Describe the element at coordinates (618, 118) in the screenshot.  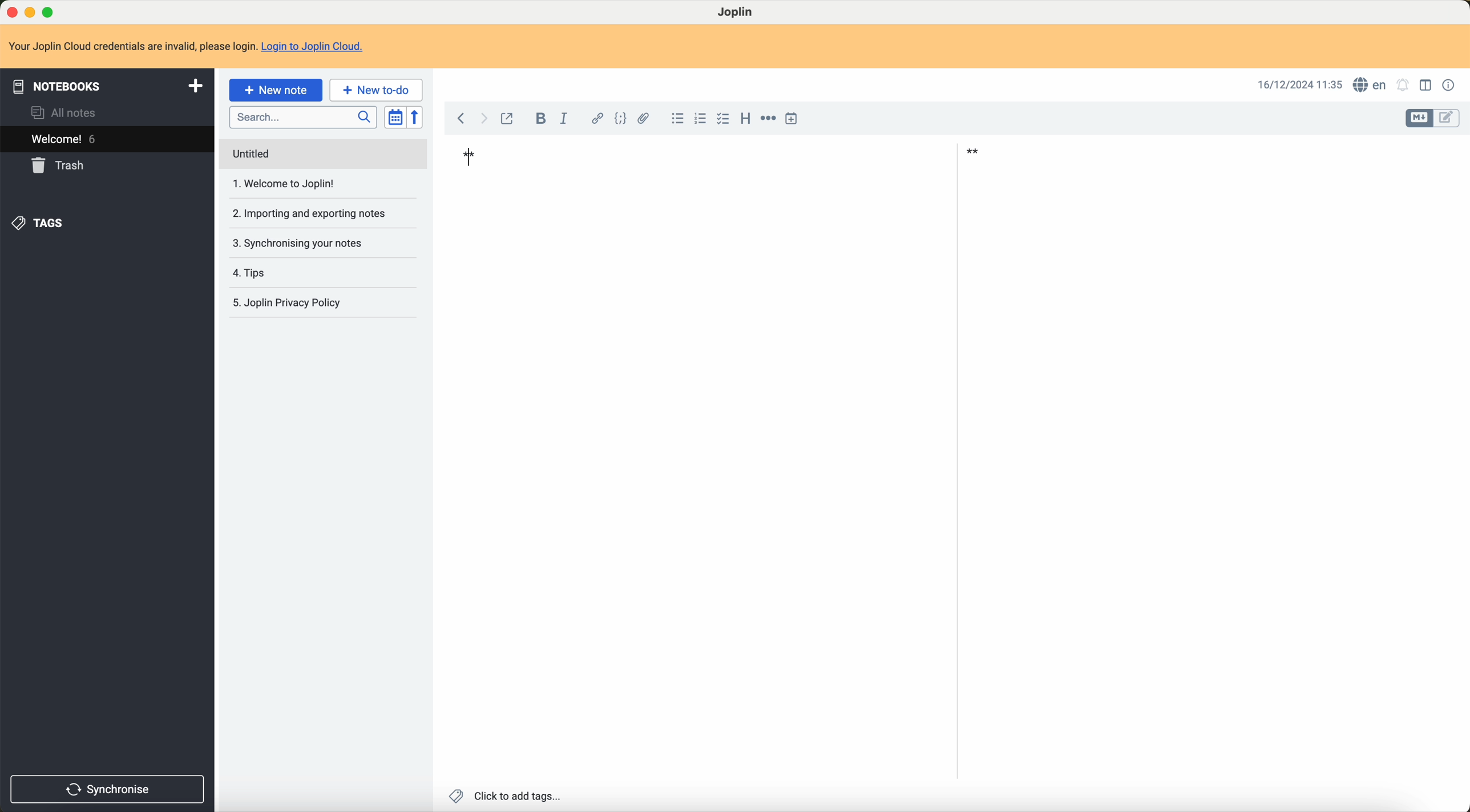
I see `code` at that location.